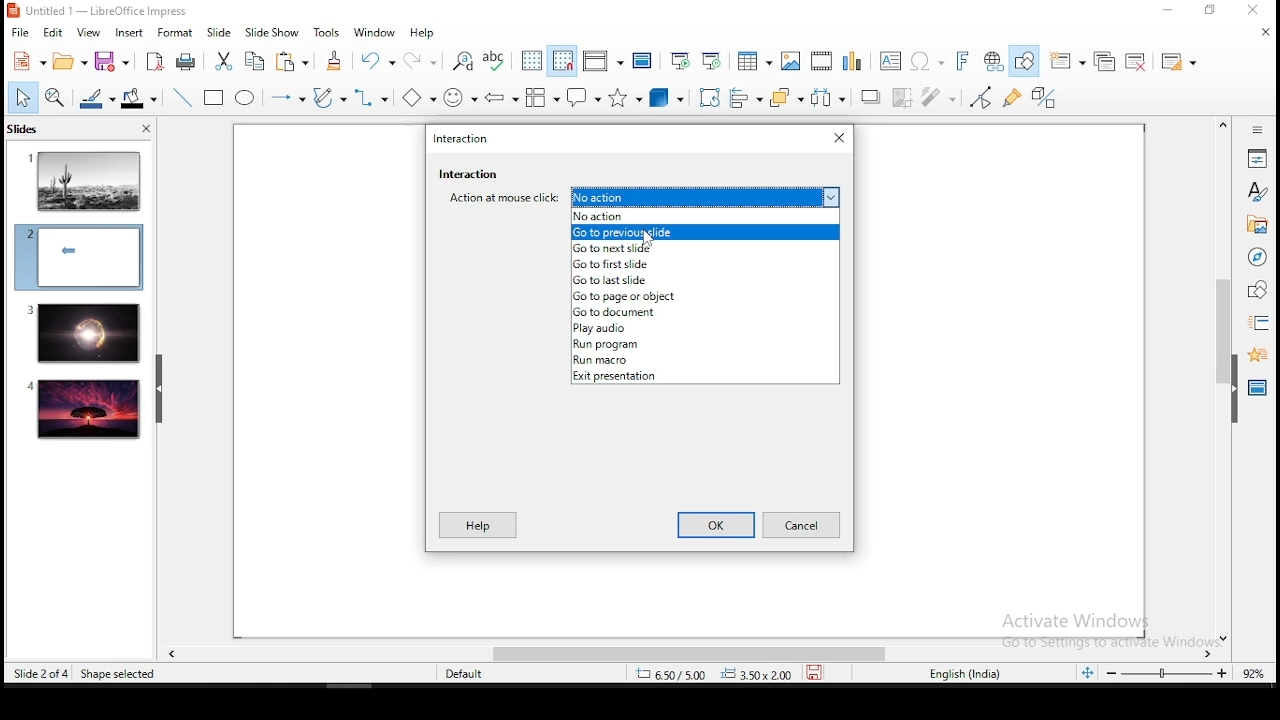 The image size is (1280, 720). I want to click on , so click(1255, 129).